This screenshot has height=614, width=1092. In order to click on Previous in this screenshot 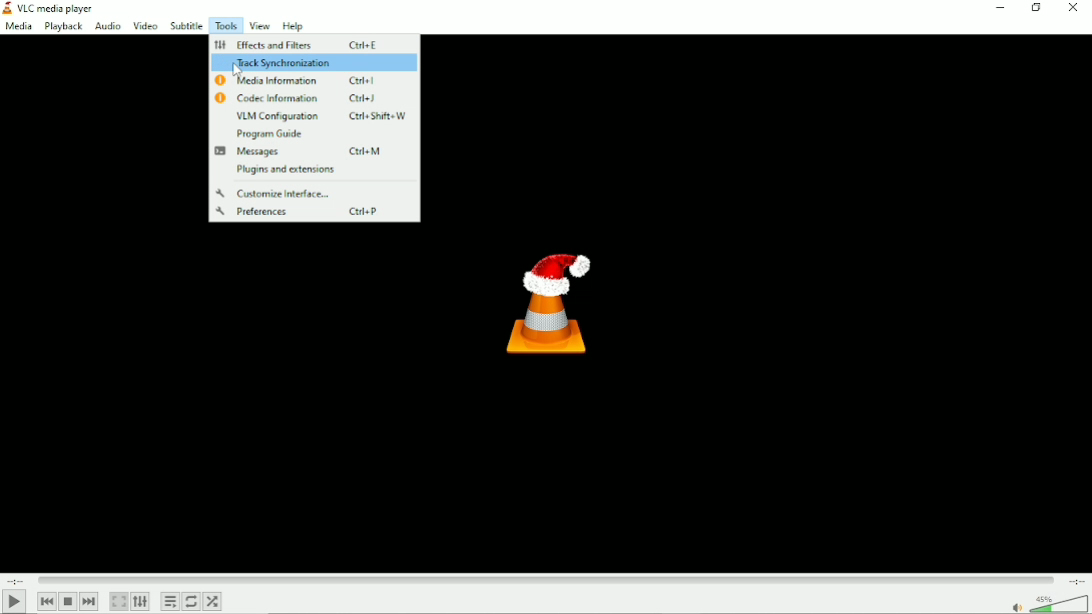, I will do `click(47, 601)`.